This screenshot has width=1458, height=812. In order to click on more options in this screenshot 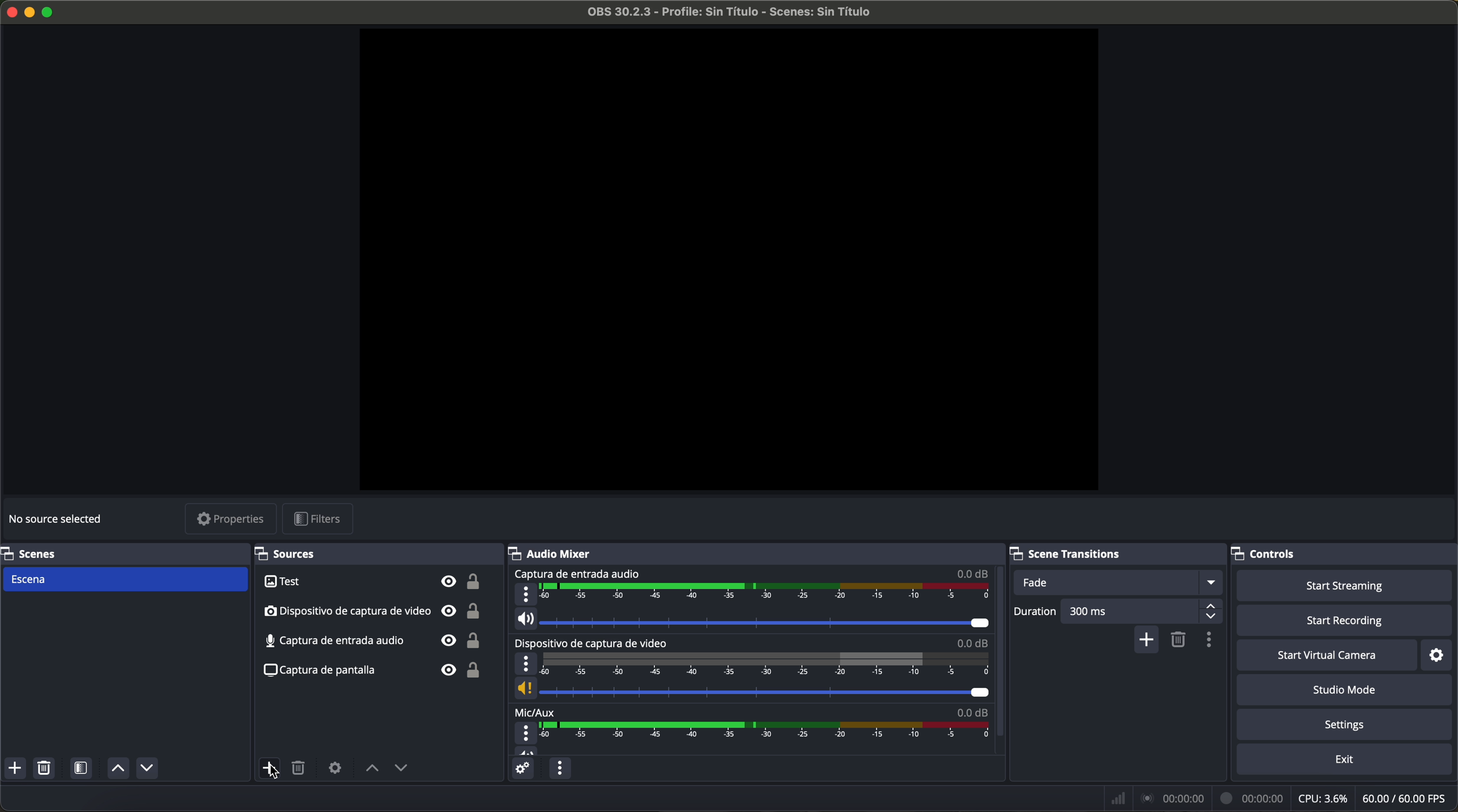, I will do `click(524, 664)`.